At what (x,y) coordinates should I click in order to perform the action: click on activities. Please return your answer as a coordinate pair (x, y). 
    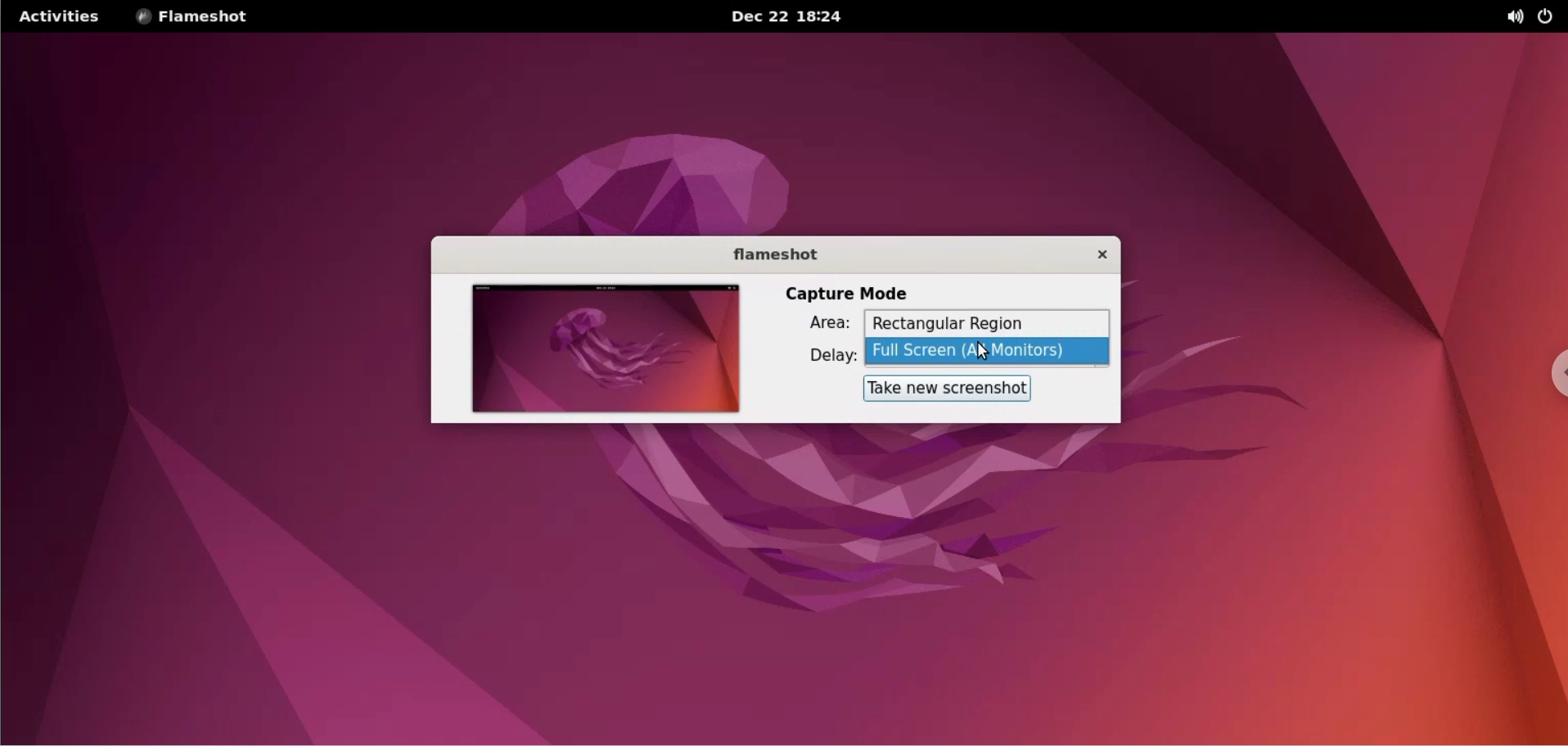
    Looking at the image, I should click on (62, 17).